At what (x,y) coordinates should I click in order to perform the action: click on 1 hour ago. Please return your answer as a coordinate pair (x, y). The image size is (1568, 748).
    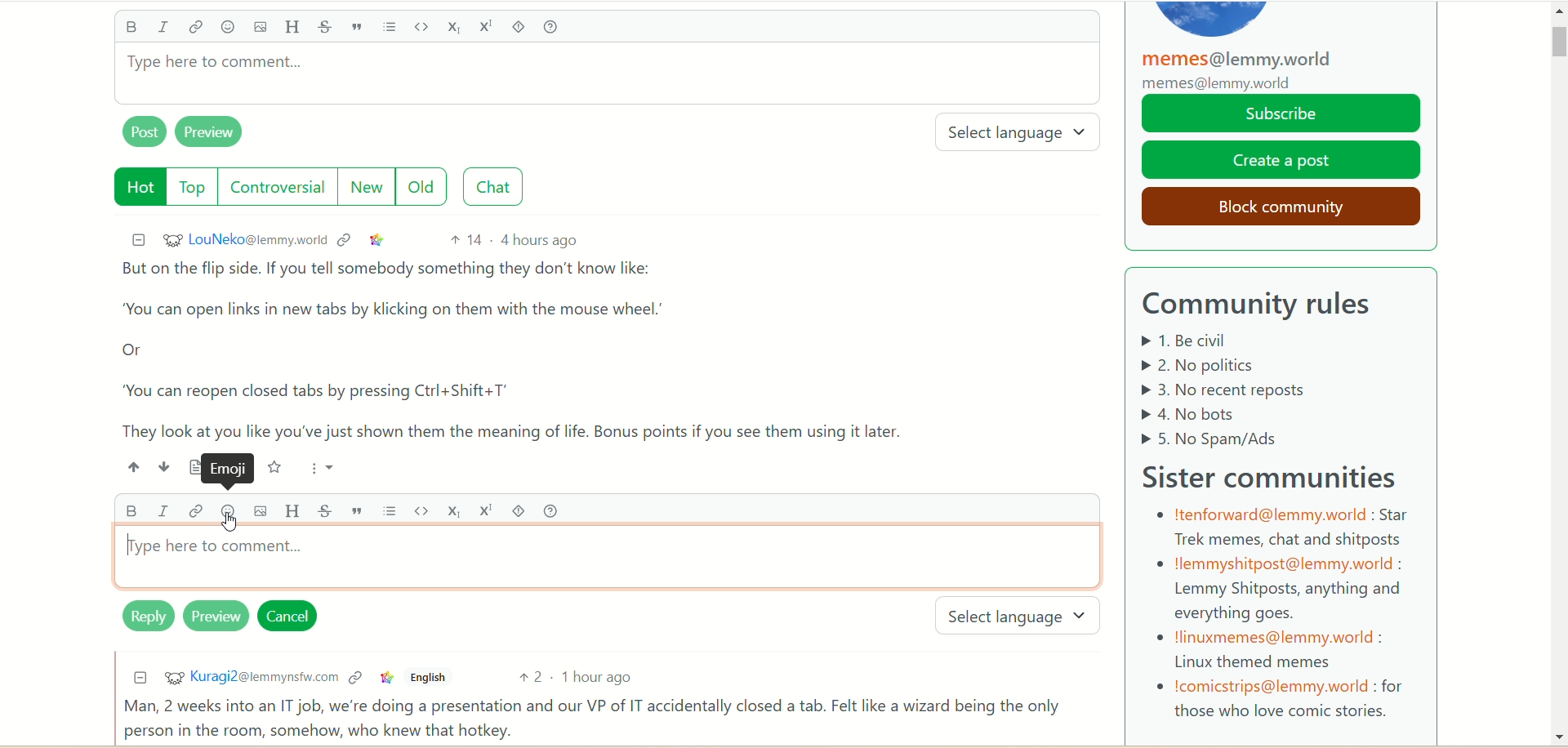
    Looking at the image, I should click on (605, 679).